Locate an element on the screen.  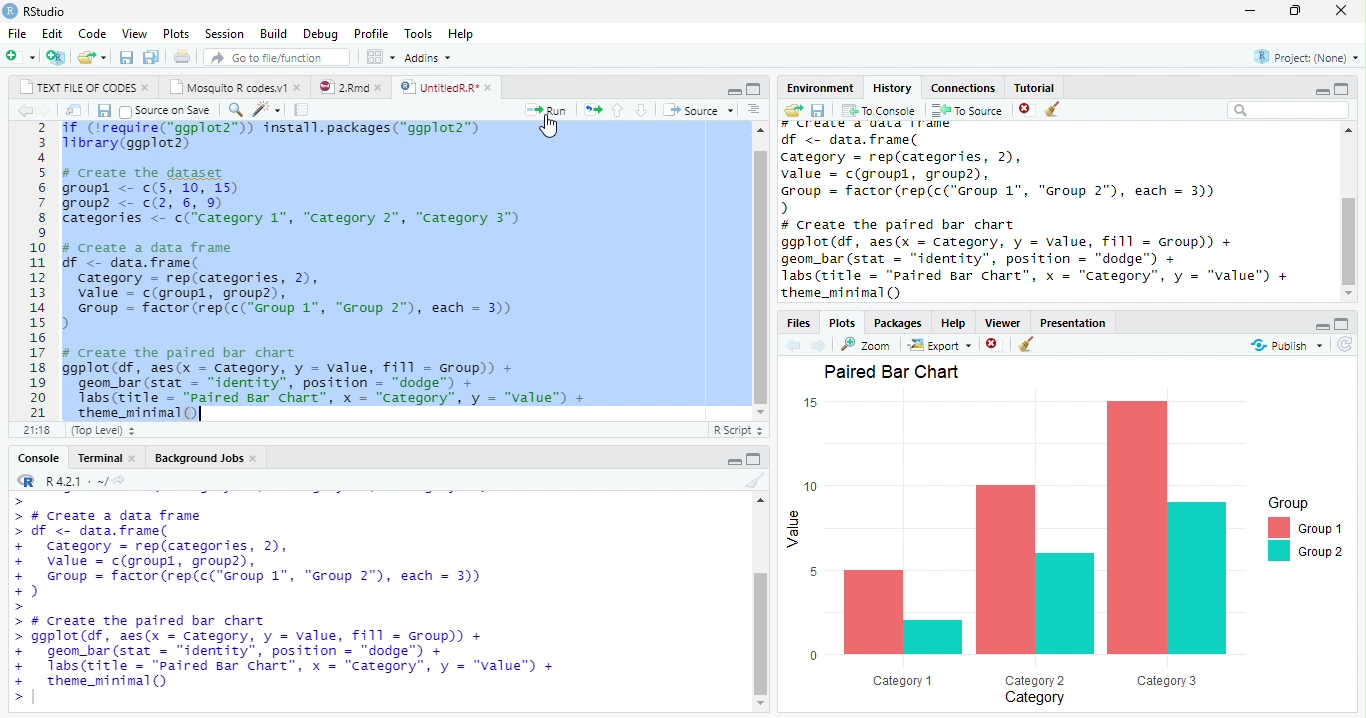
addins is located at coordinates (431, 57).